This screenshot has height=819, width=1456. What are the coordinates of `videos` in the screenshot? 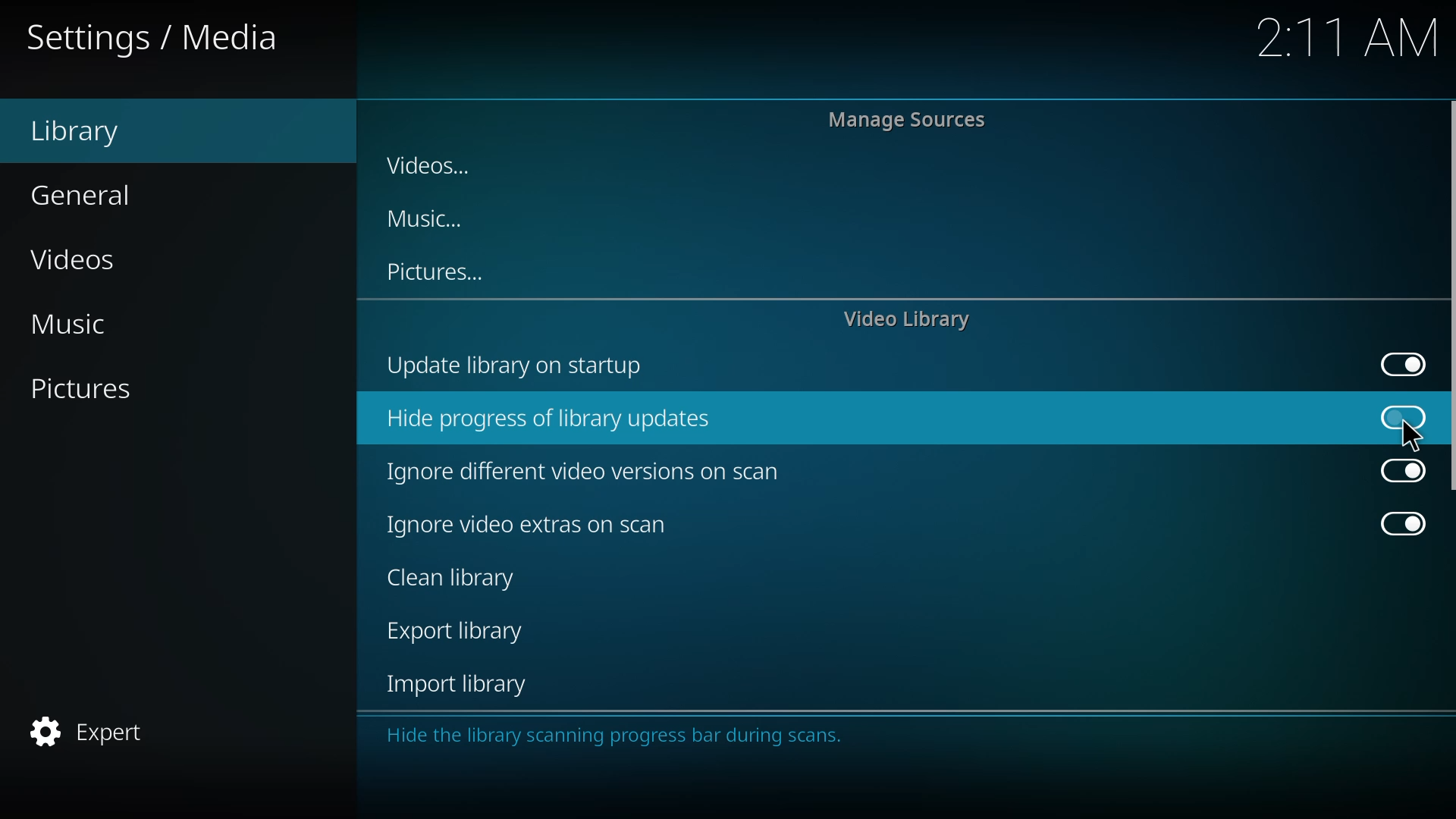 It's located at (438, 161).